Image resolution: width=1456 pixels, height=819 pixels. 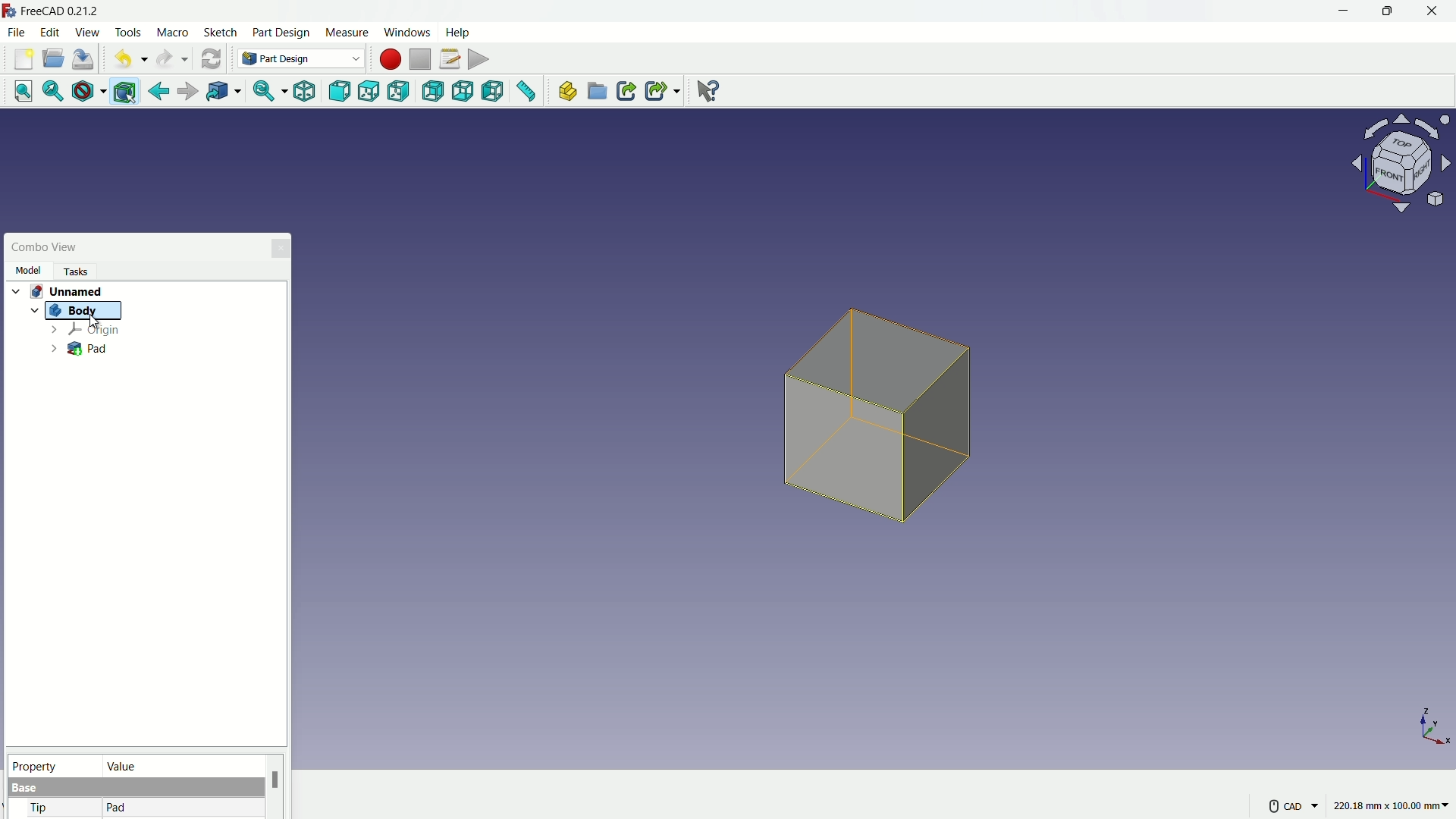 I want to click on measure, so click(x=346, y=33).